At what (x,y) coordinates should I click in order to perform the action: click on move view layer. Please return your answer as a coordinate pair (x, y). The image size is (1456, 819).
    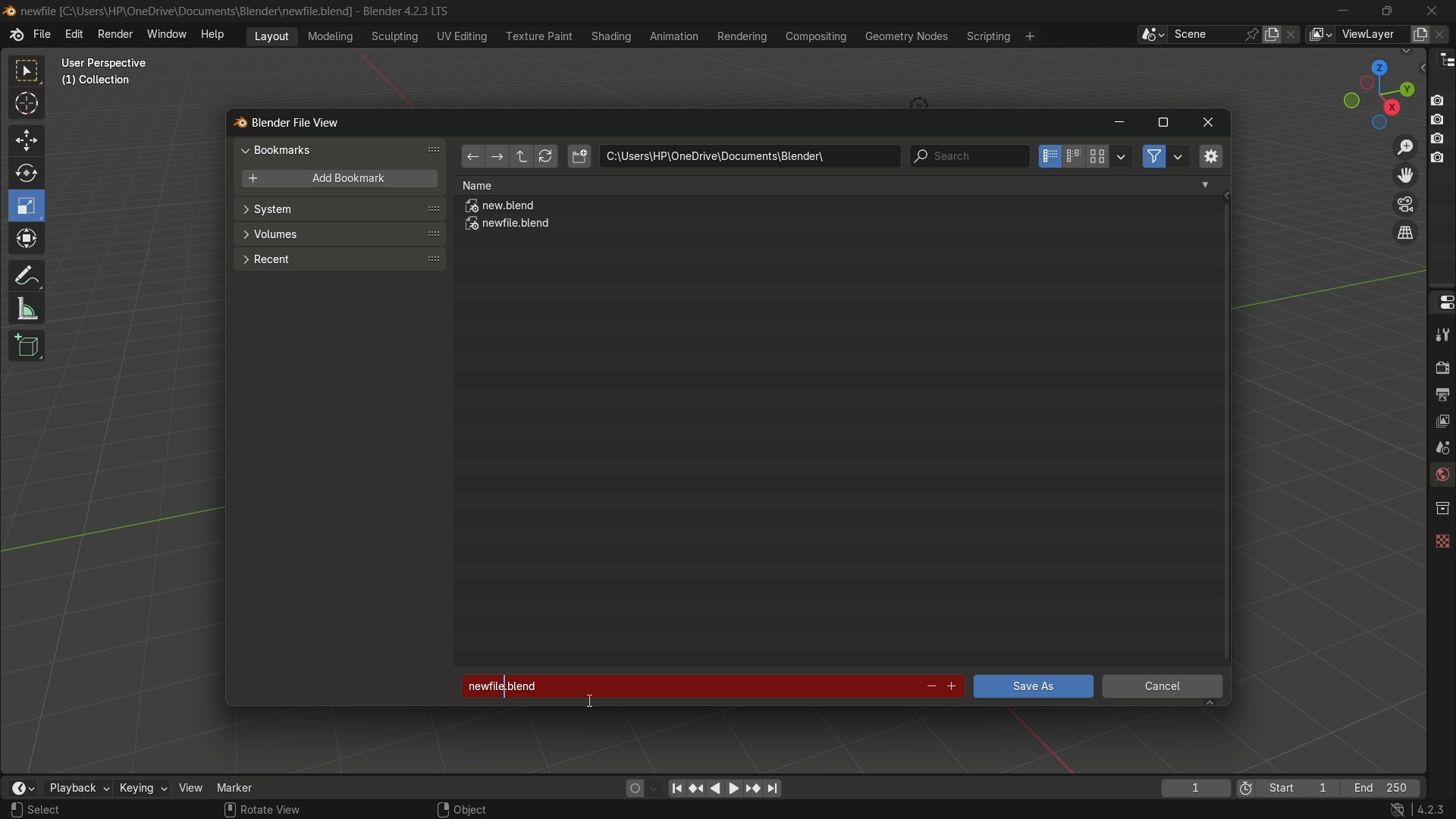
    Looking at the image, I should click on (1404, 174).